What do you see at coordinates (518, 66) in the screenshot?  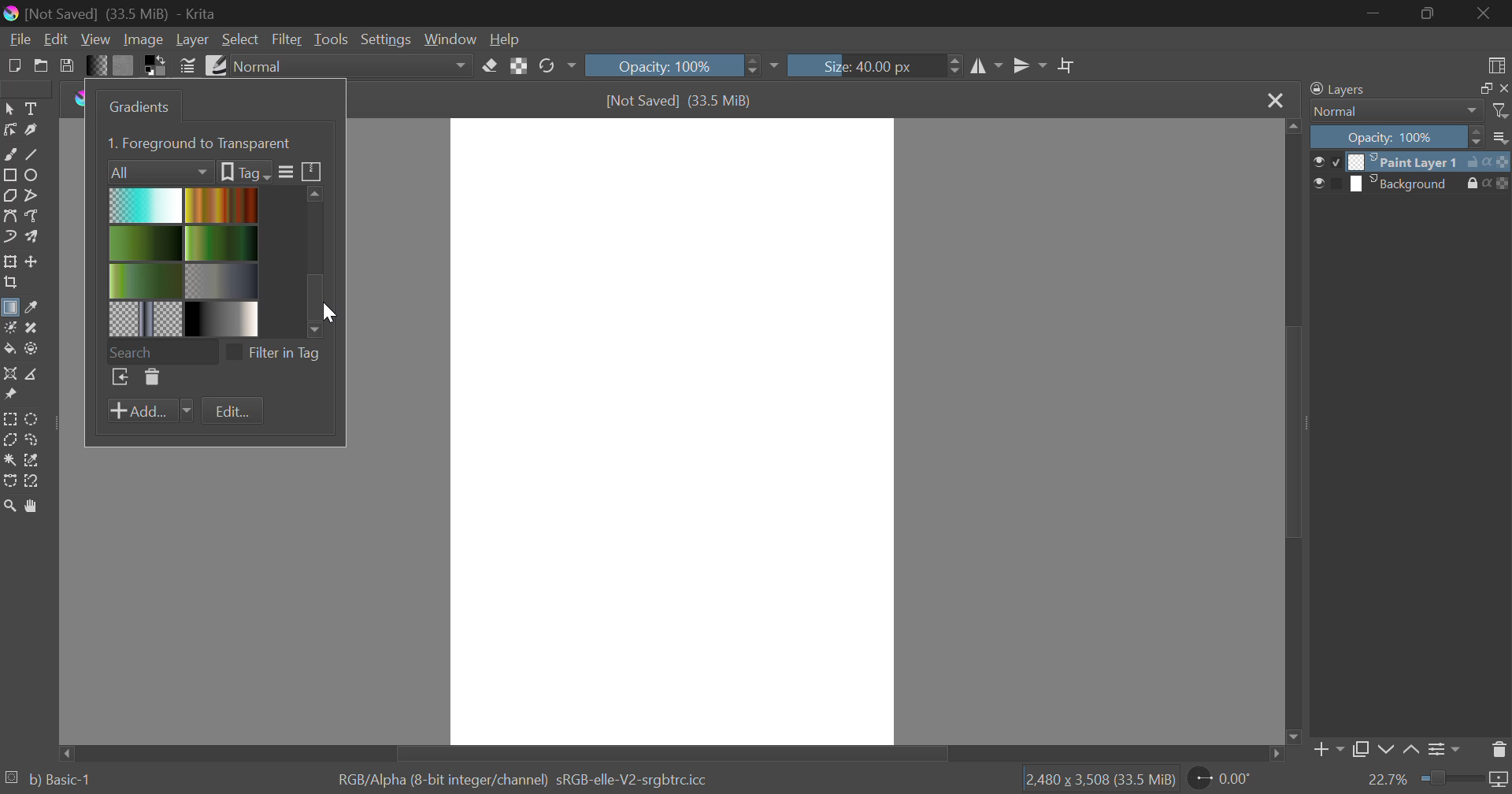 I see `Lock Alpha` at bounding box center [518, 66].